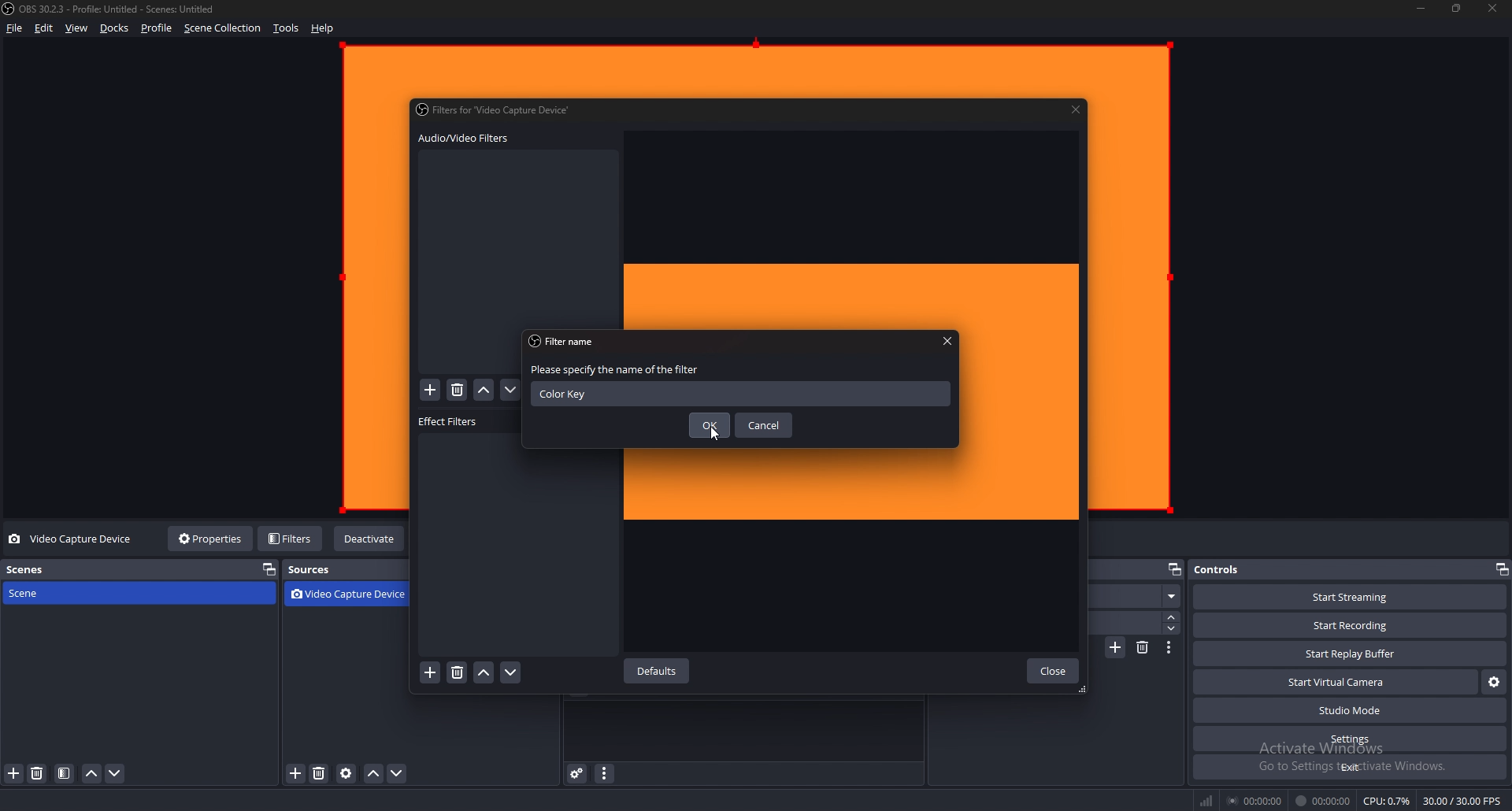 The height and width of the screenshot is (811, 1512). Describe the element at coordinates (157, 28) in the screenshot. I see `profile` at that location.